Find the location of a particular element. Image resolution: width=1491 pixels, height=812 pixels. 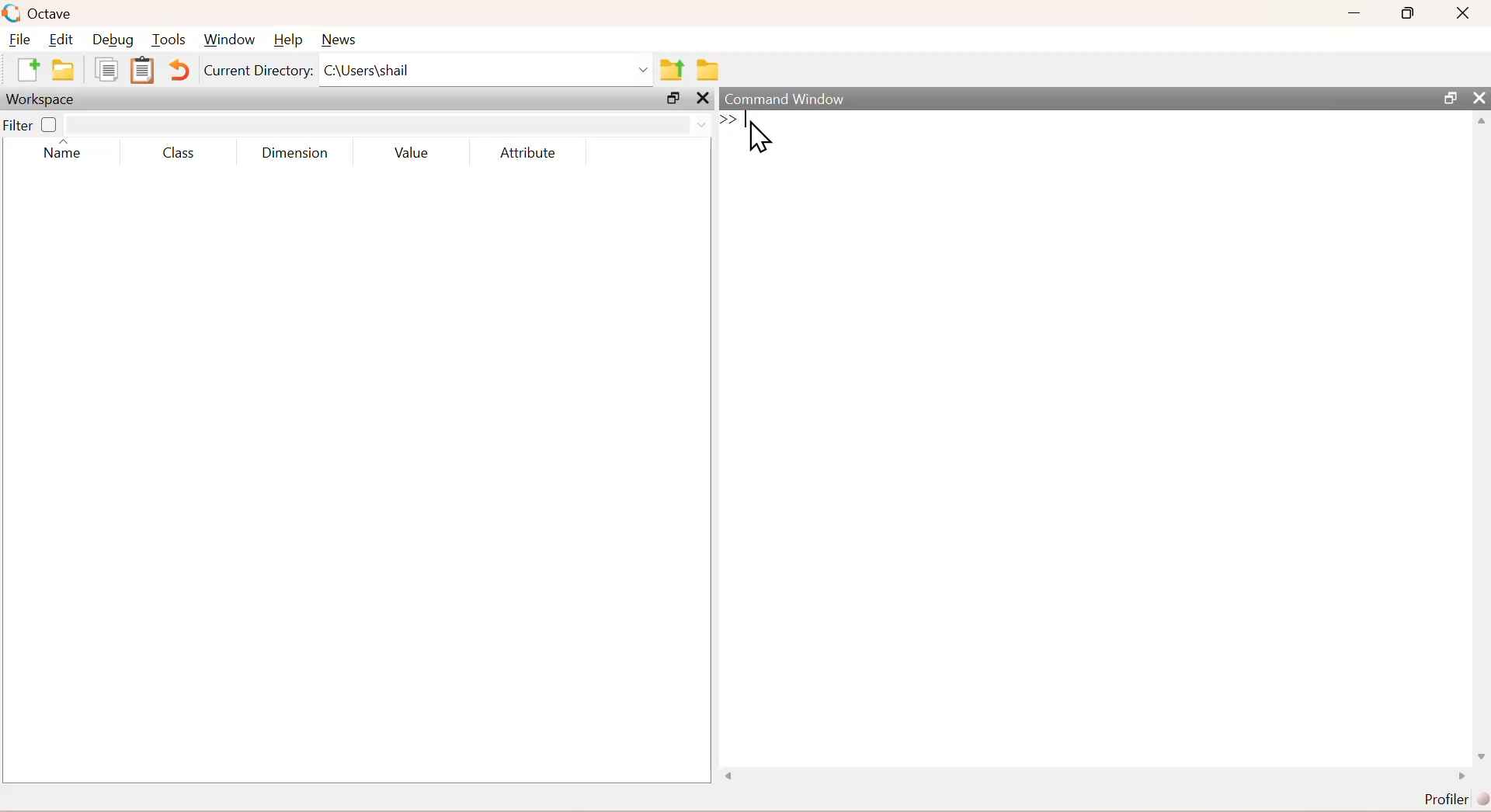

Profiler is located at coordinates (1448, 796).